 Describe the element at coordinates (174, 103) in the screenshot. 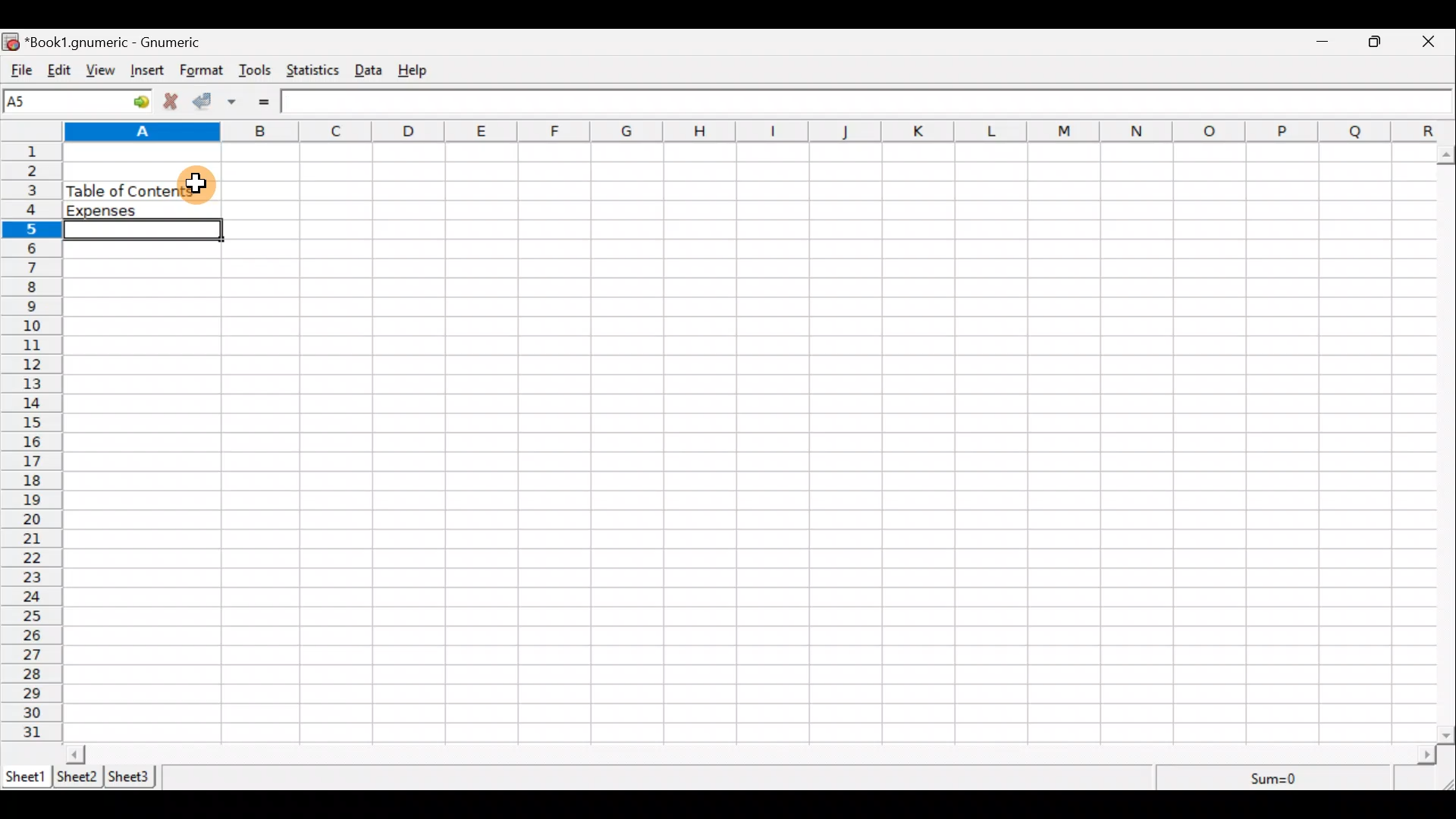

I see `Cancel change` at that location.